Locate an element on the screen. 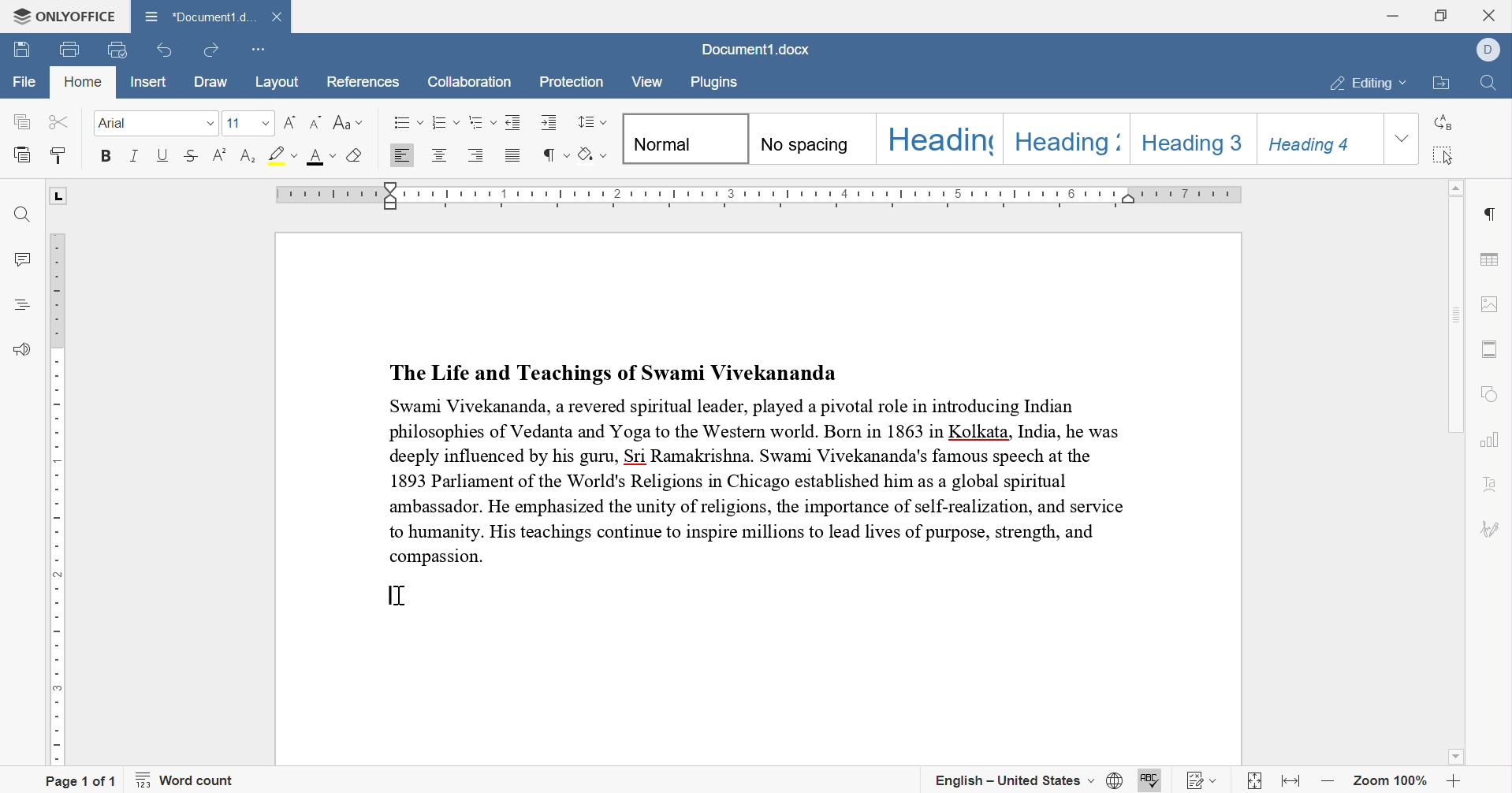 This screenshot has height=793, width=1512. close is located at coordinates (278, 17).